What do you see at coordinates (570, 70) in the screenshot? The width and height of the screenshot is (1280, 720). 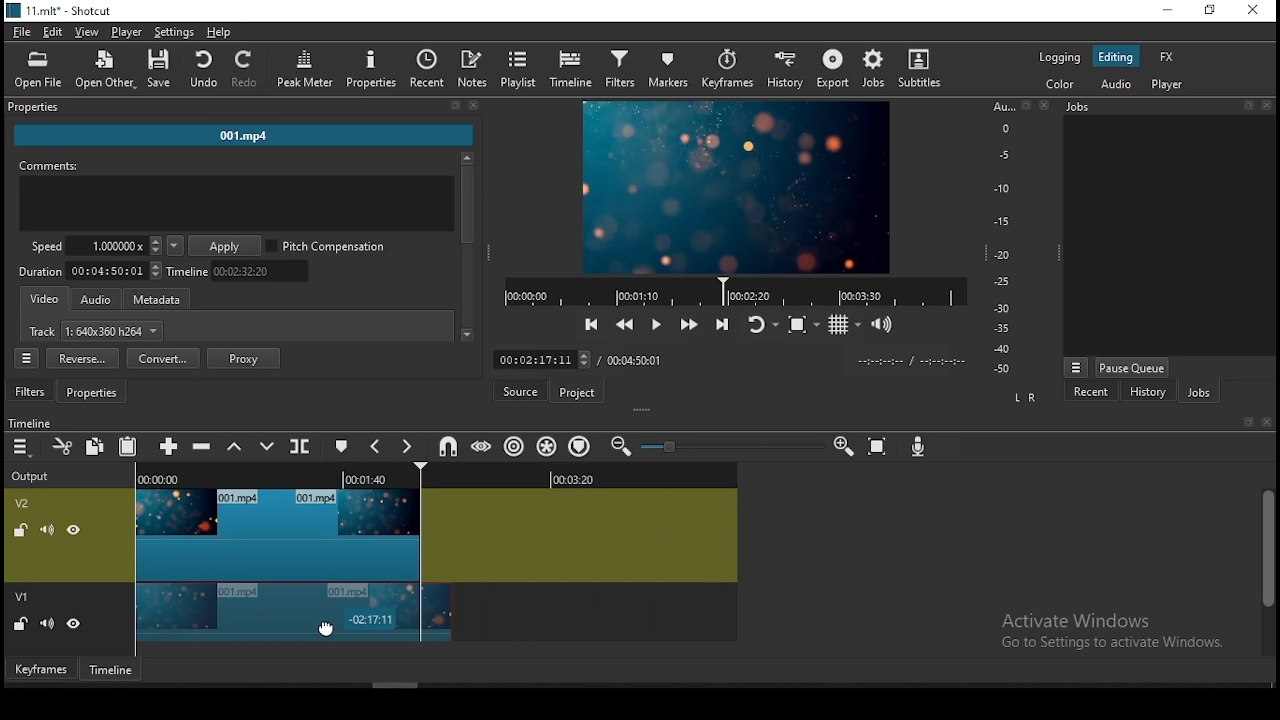 I see `timeline` at bounding box center [570, 70].